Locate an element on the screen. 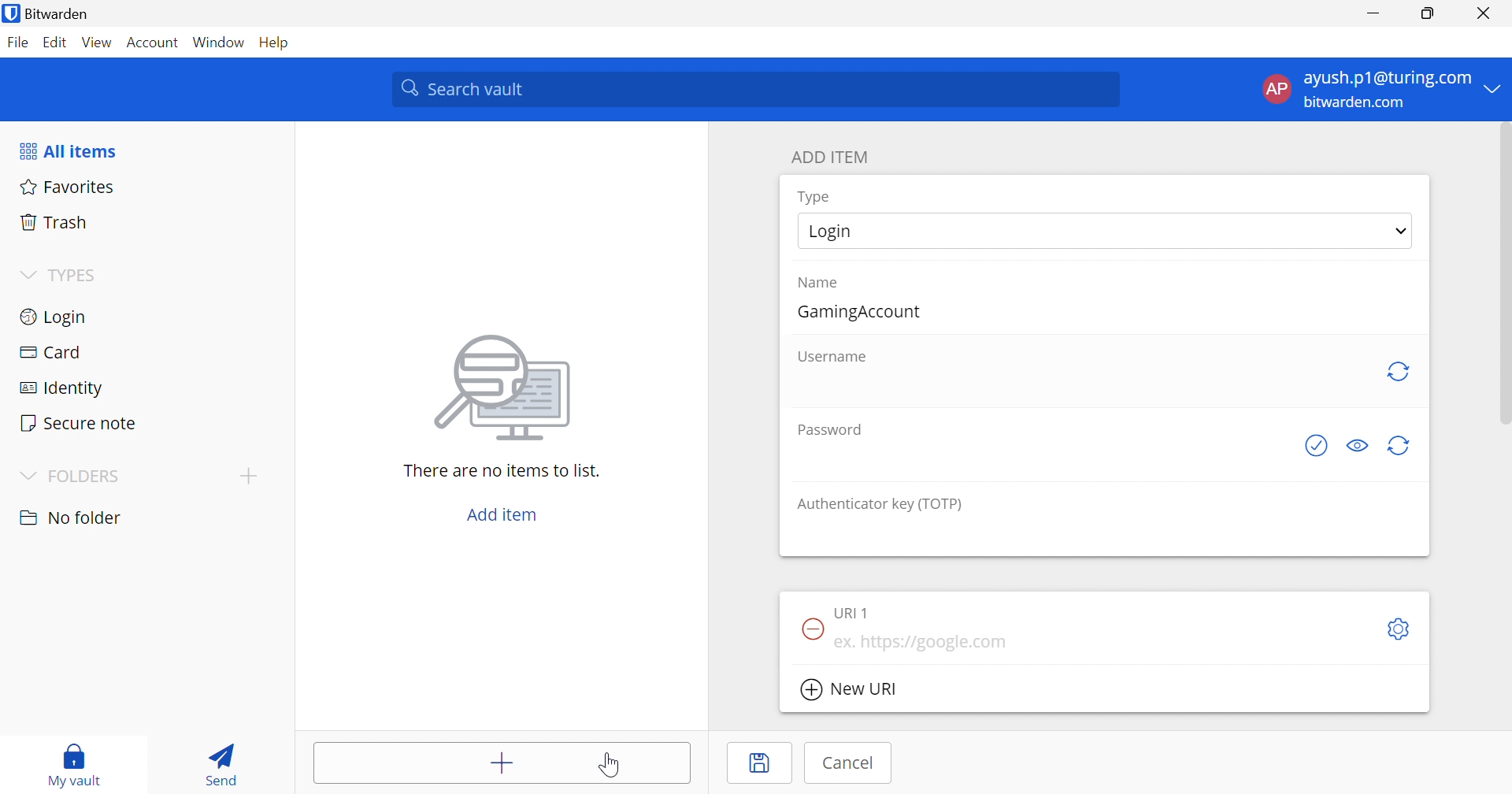 This screenshot has width=1512, height=794. Login is located at coordinates (834, 232).